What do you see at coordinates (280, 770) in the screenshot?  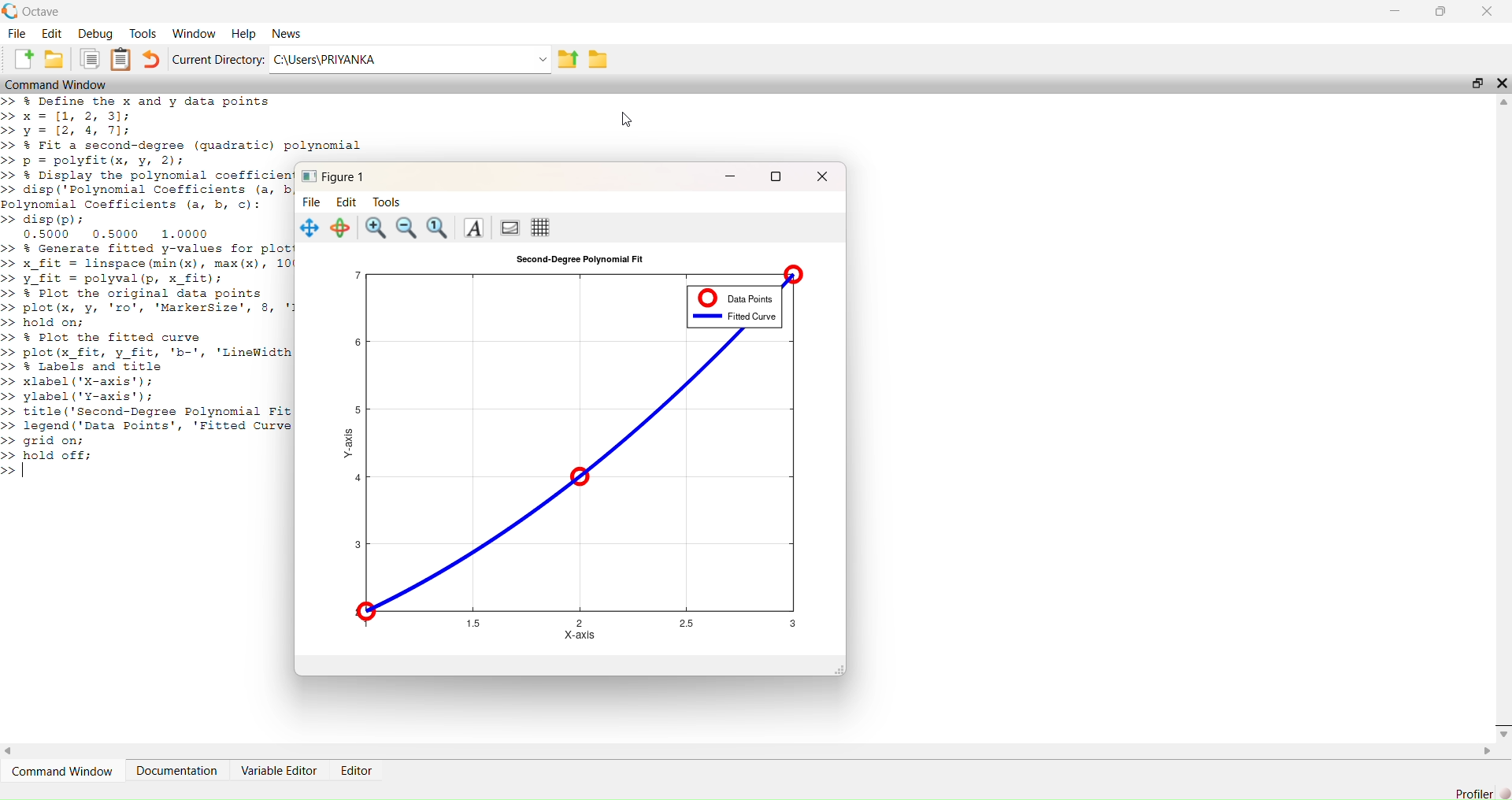 I see `Variable Editor` at bounding box center [280, 770].